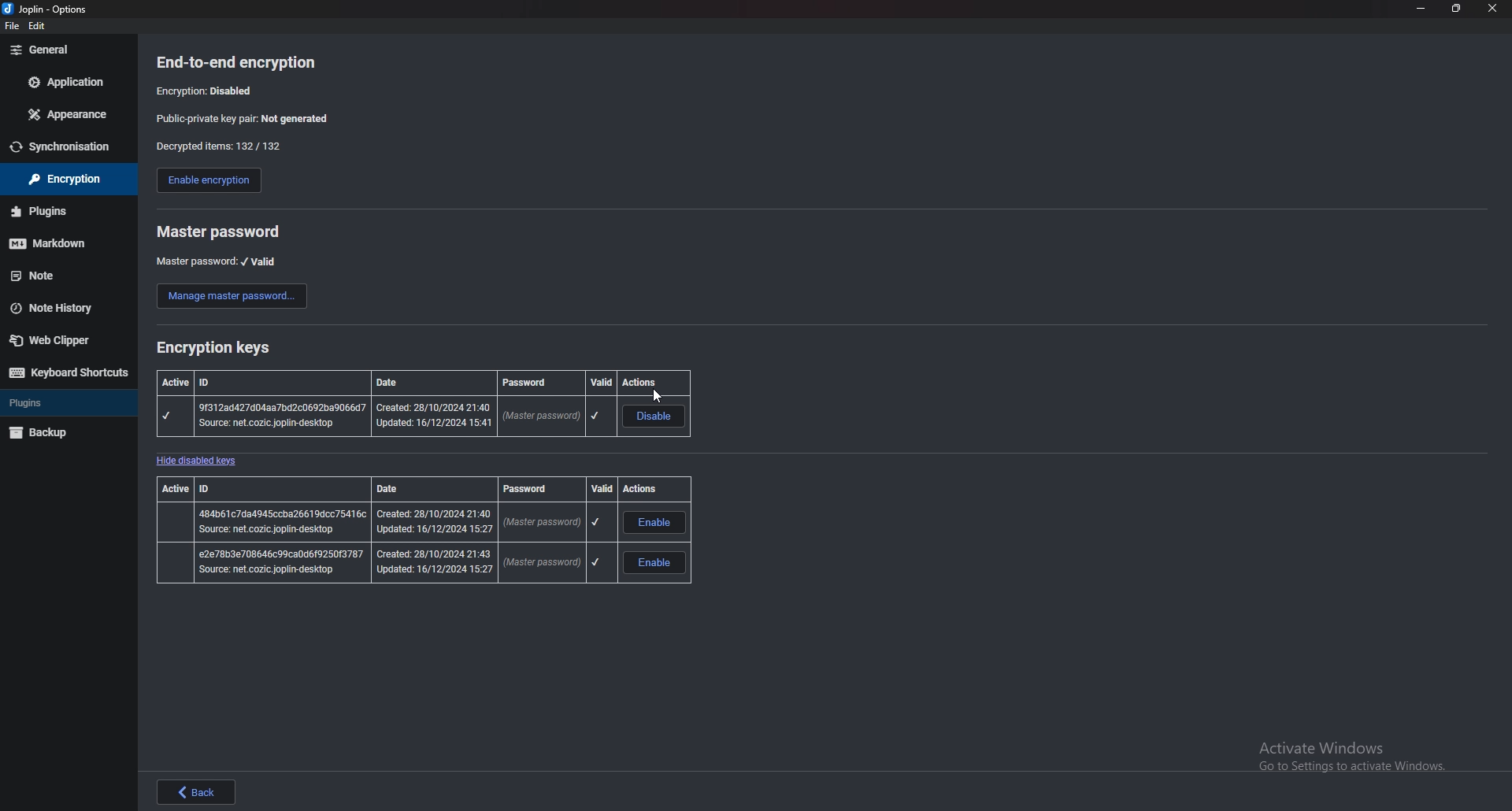 The width and height of the screenshot is (1512, 811). Describe the element at coordinates (384, 561) in the screenshot. I see `master password` at that location.